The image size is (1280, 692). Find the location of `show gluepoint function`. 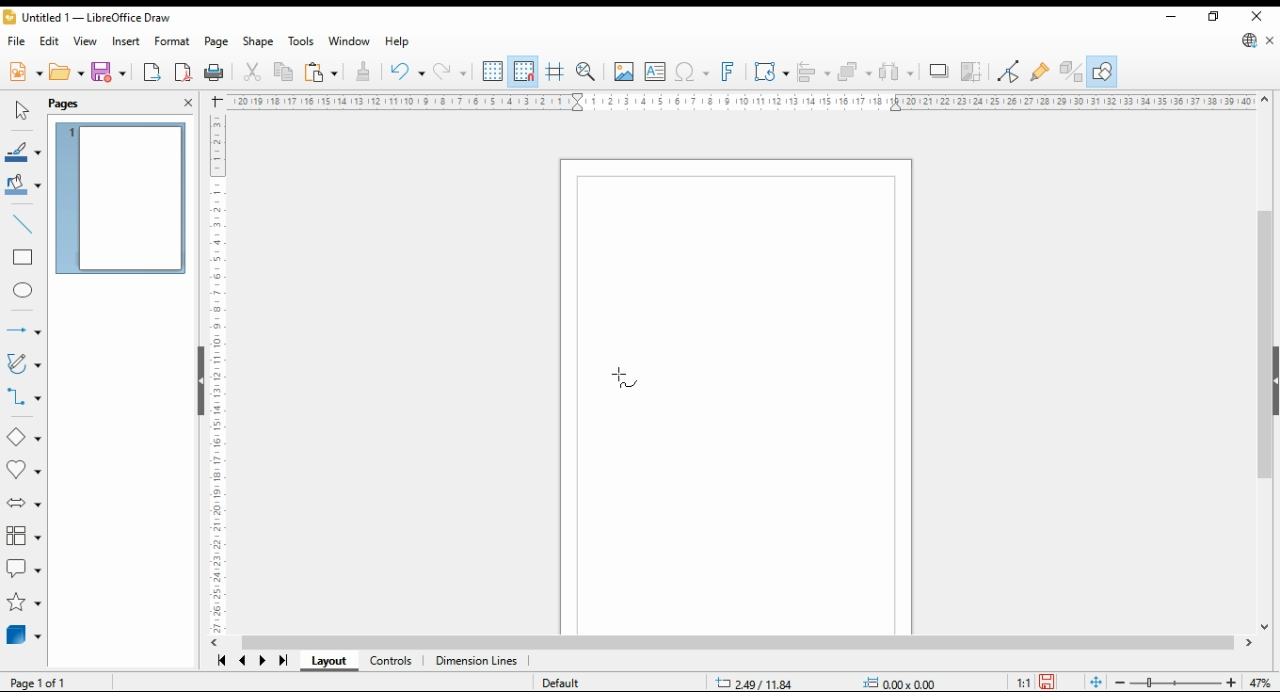

show gluepoint function is located at coordinates (1041, 72).